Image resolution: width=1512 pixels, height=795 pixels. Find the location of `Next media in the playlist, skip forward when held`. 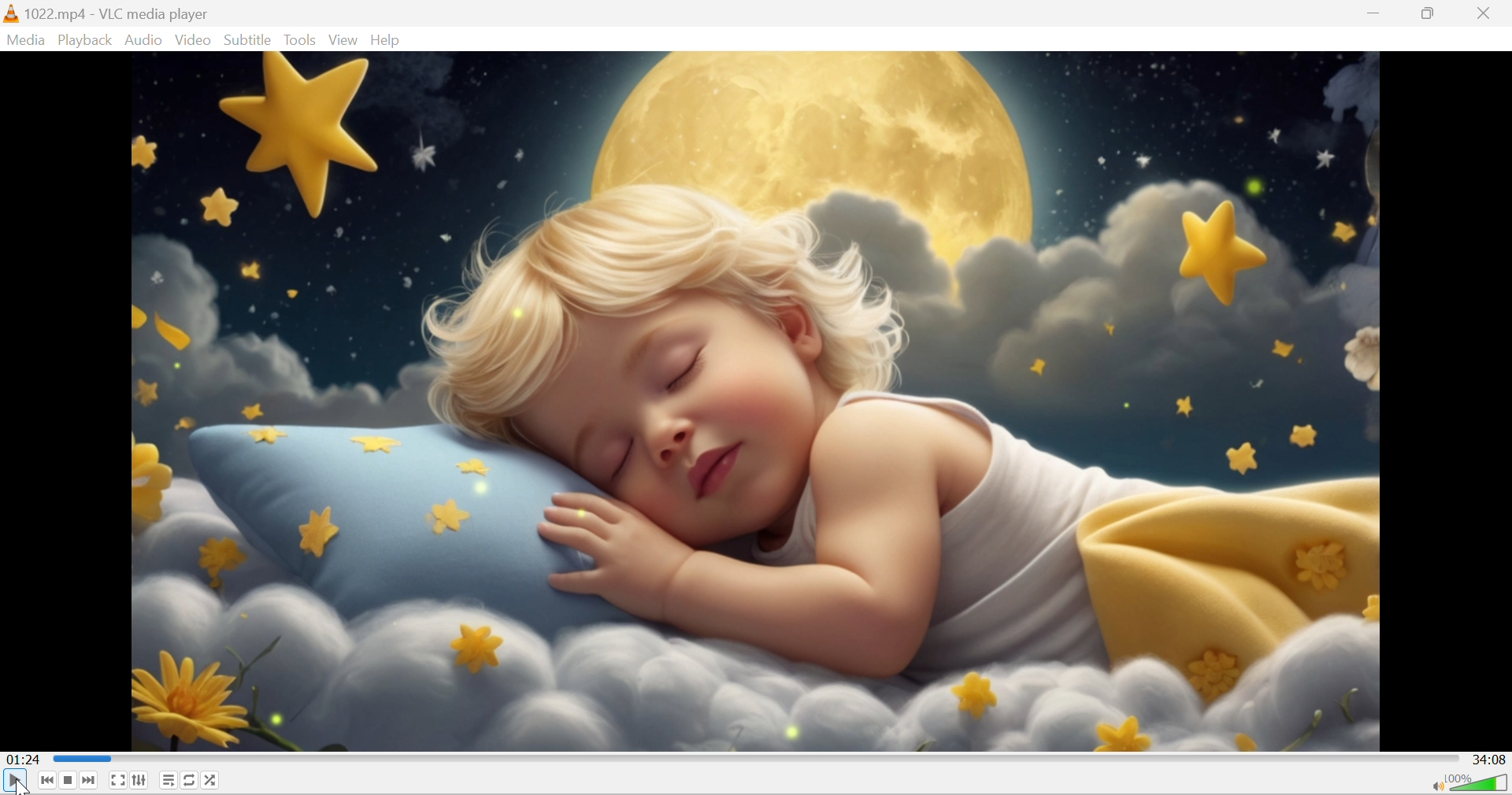

Next media in the playlist, skip forward when held is located at coordinates (87, 780).